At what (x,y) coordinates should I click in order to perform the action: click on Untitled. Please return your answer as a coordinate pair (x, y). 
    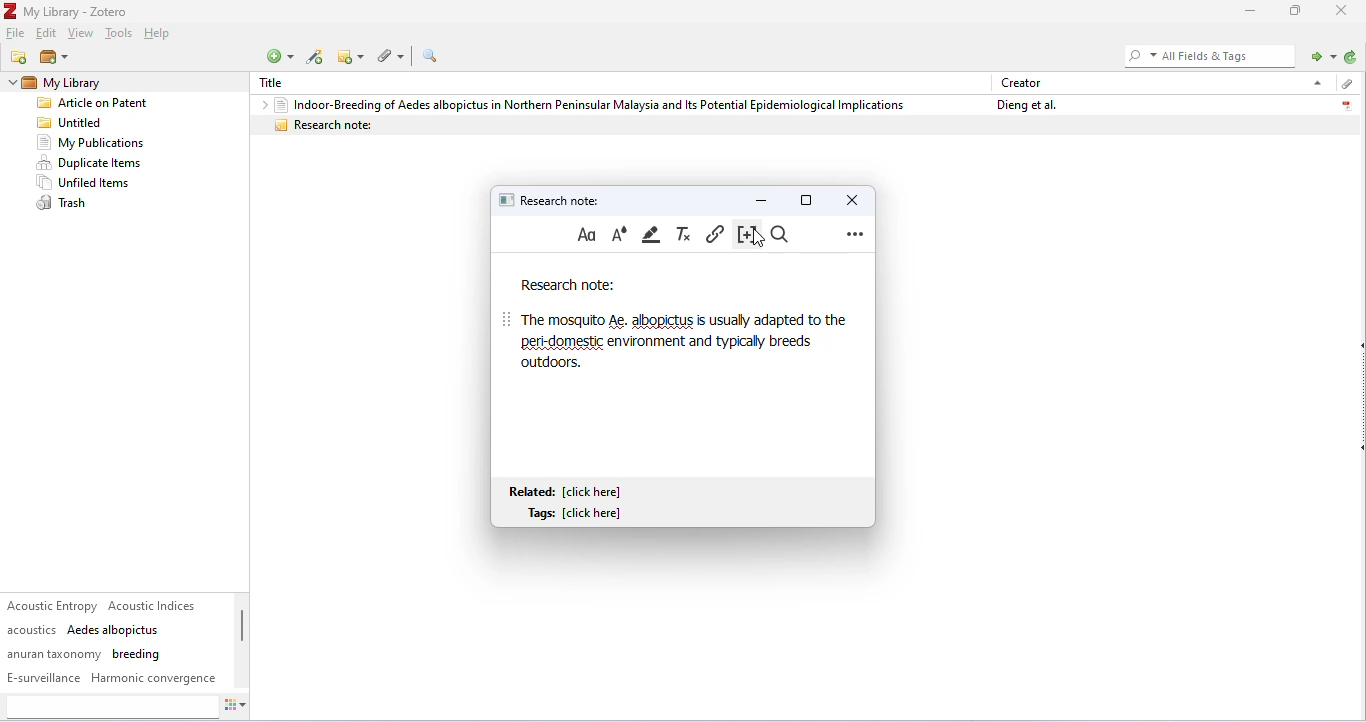
    Looking at the image, I should click on (74, 123).